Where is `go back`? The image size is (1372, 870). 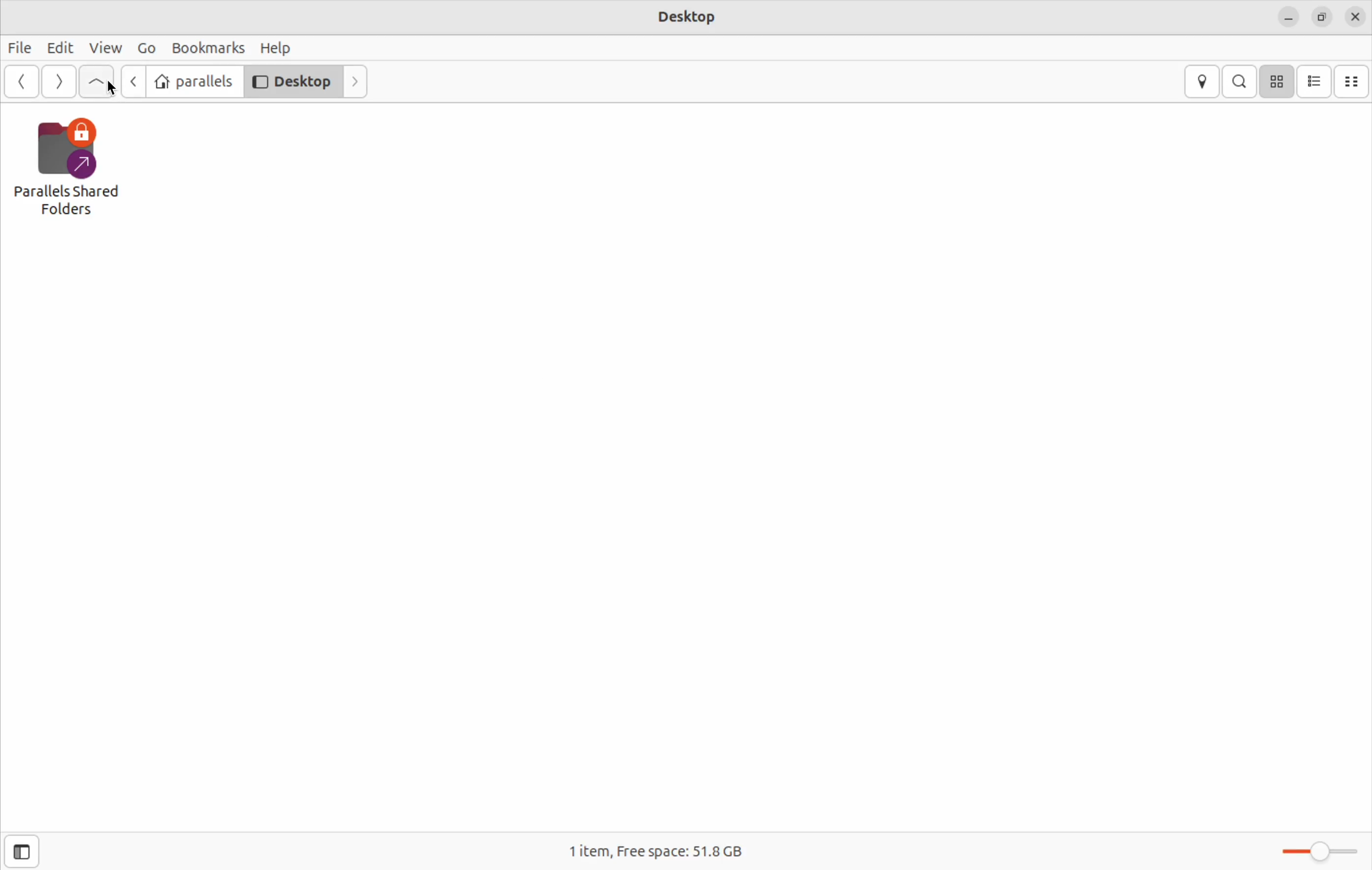 go back is located at coordinates (20, 84).